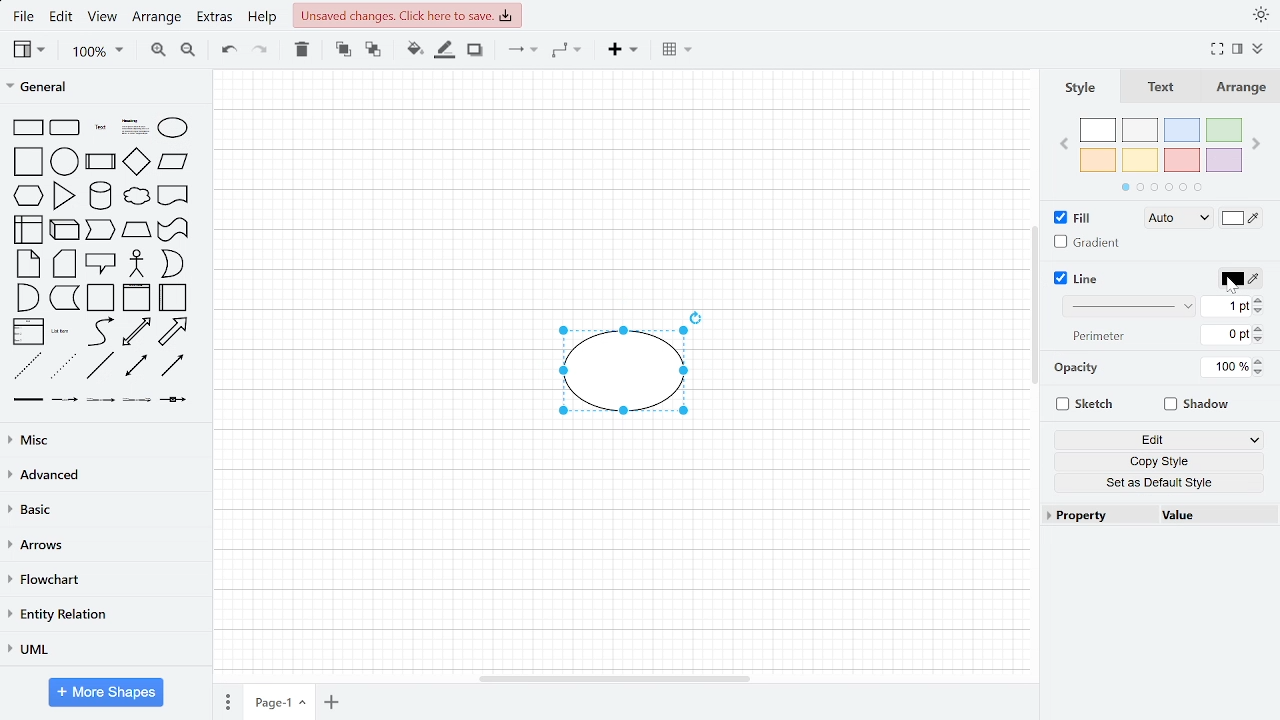 The height and width of the screenshot is (720, 1280). What do you see at coordinates (1258, 373) in the screenshot?
I see `decrease opacity` at bounding box center [1258, 373].